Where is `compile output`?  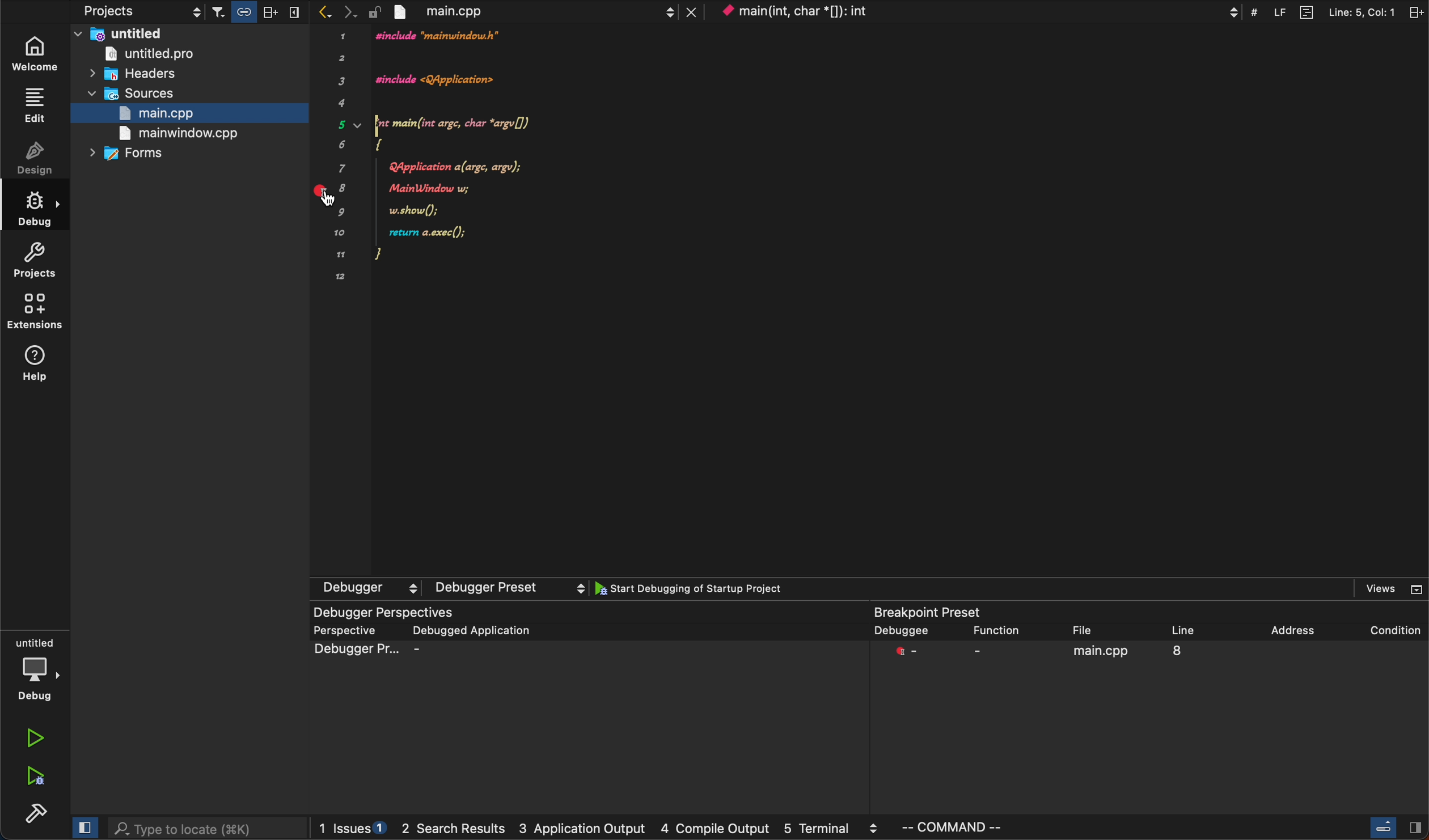 compile output is located at coordinates (713, 829).